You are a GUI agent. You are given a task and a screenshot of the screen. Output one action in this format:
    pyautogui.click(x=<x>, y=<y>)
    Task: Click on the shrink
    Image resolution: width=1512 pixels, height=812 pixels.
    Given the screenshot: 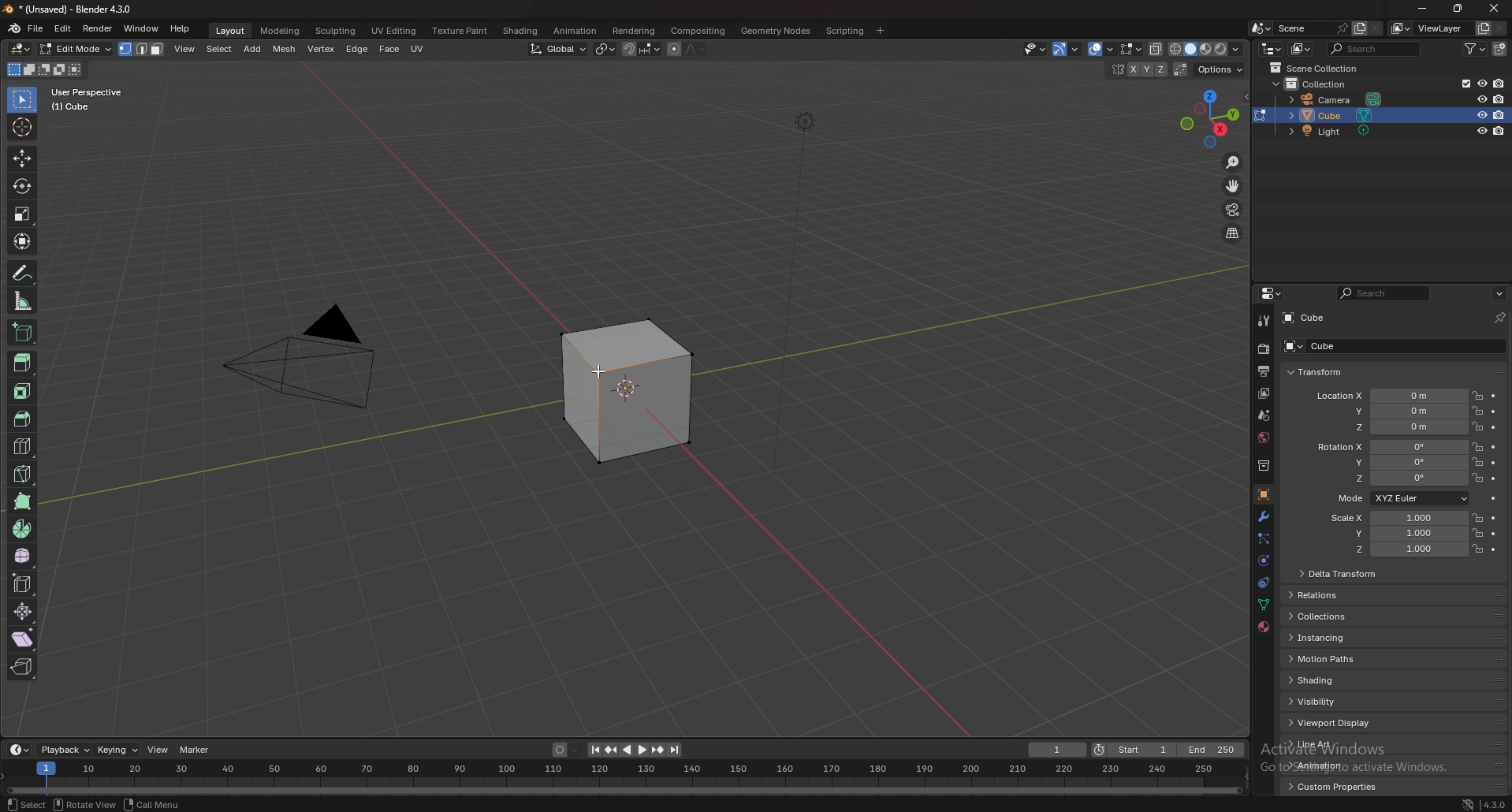 What is the action you would take?
    pyautogui.click(x=23, y=613)
    